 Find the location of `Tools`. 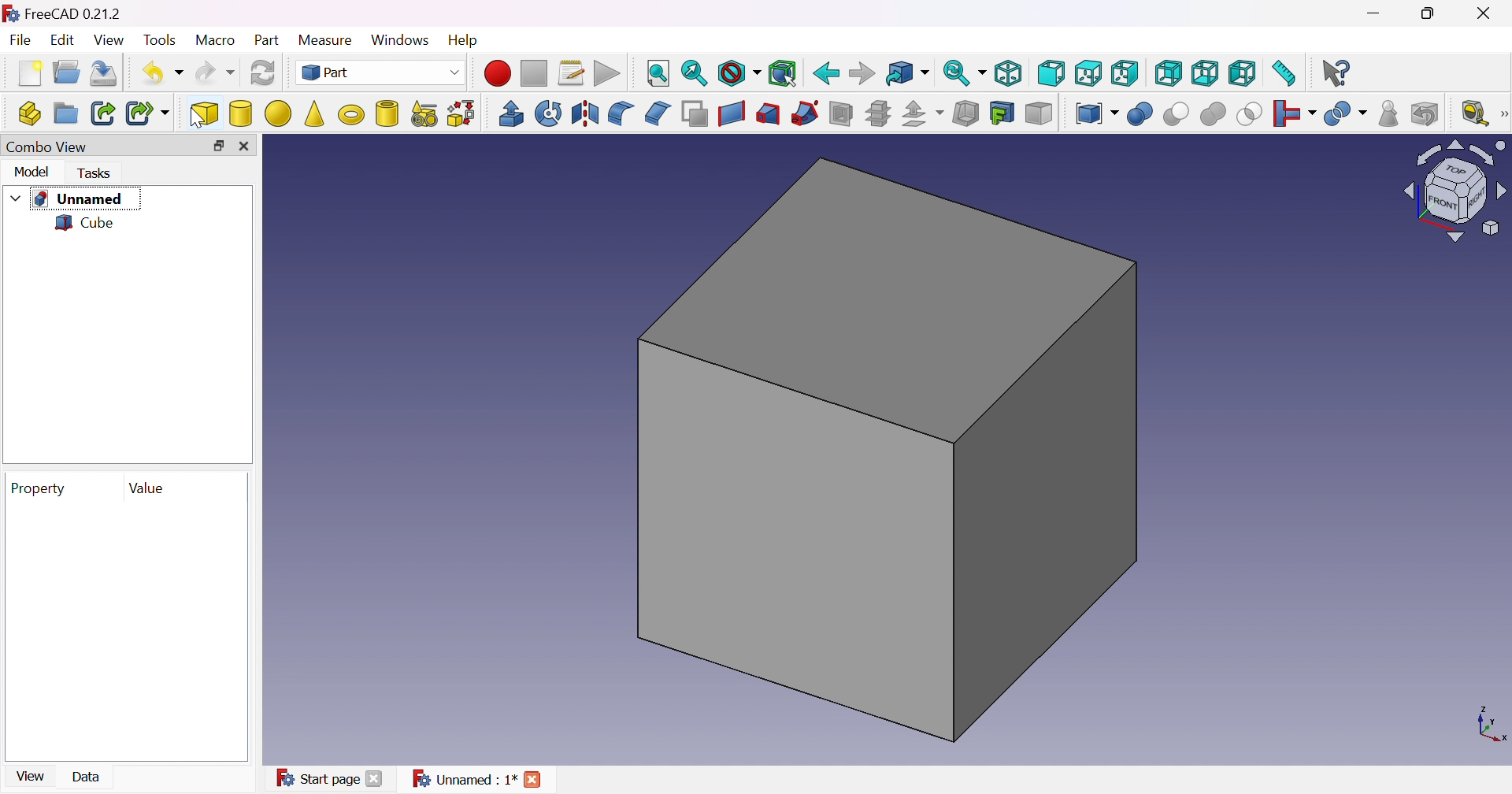

Tools is located at coordinates (160, 39).